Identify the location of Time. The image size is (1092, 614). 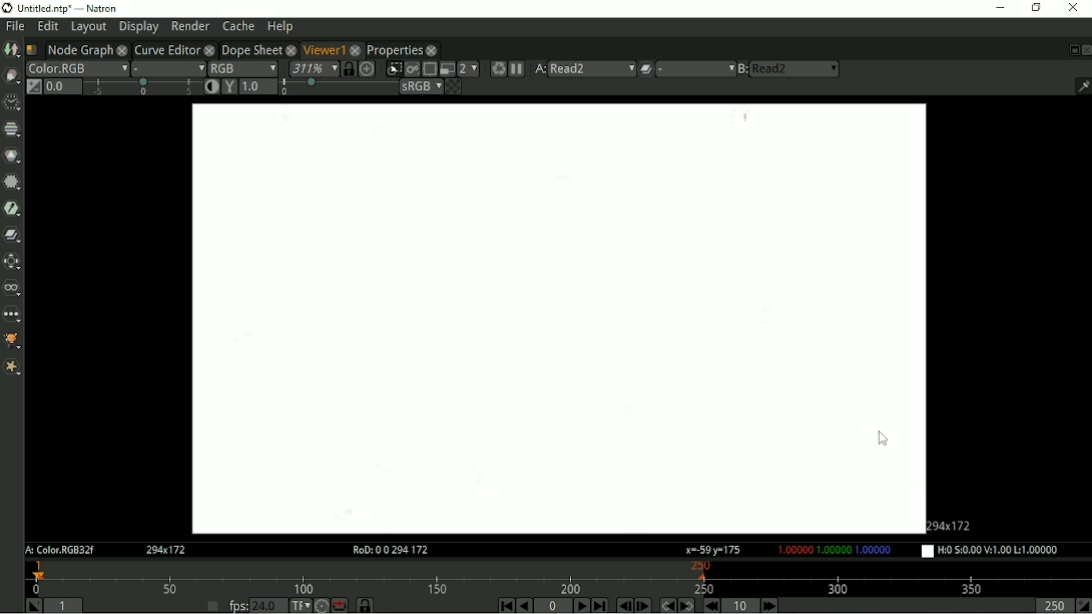
(10, 102).